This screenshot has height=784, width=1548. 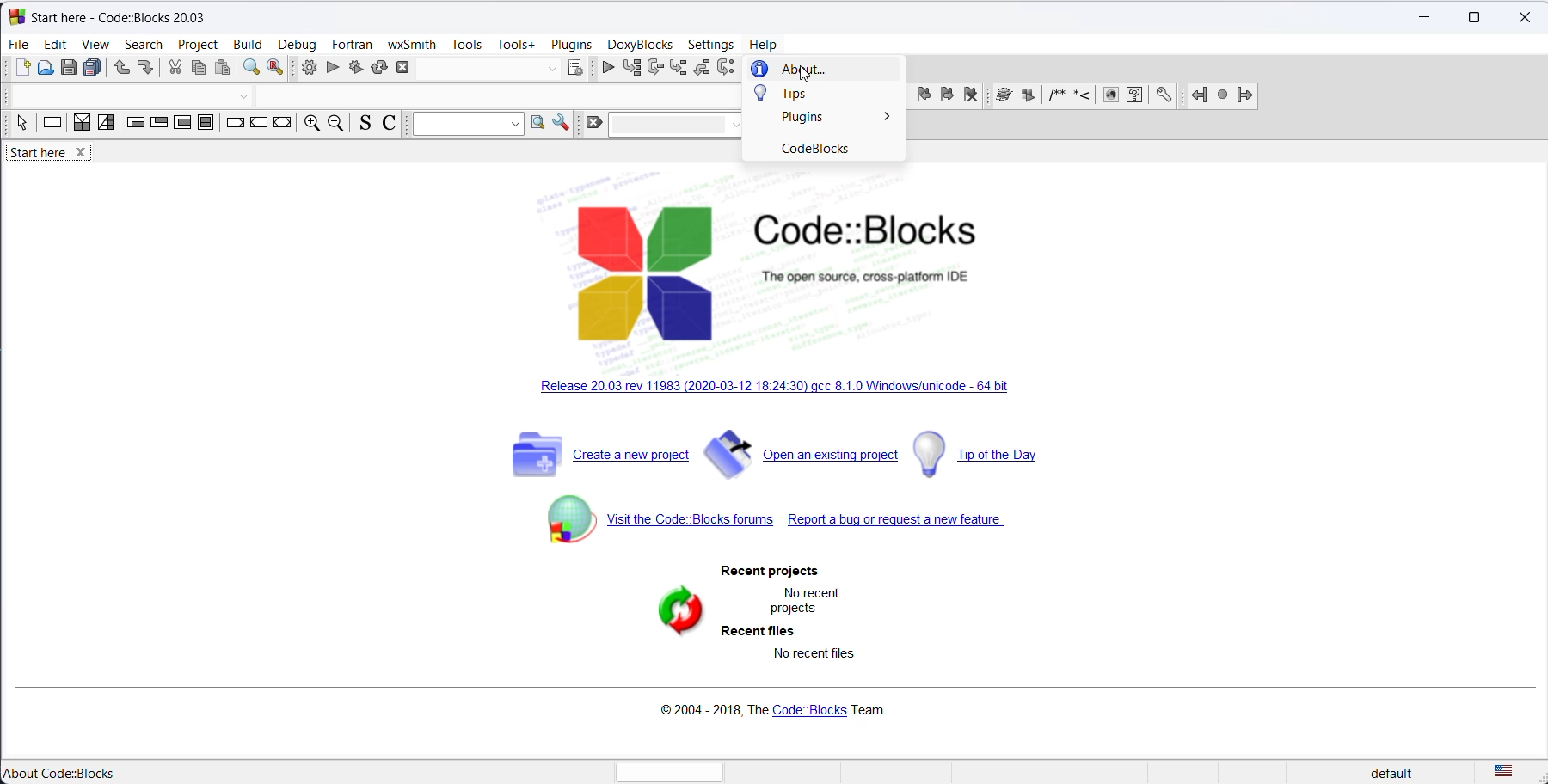 I want to click on help, so click(x=763, y=45).